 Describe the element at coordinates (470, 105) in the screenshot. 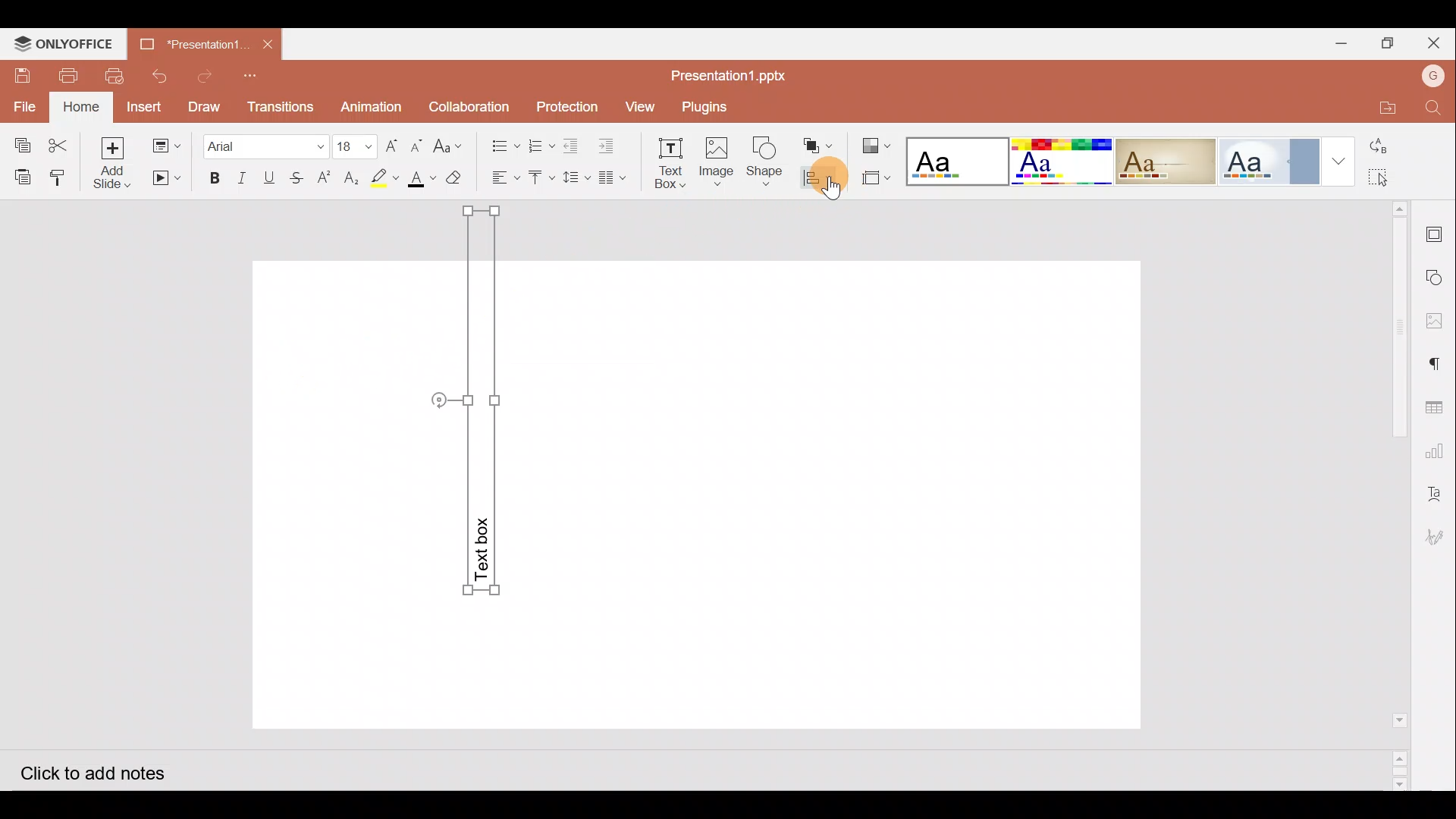

I see `Collaboration` at that location.